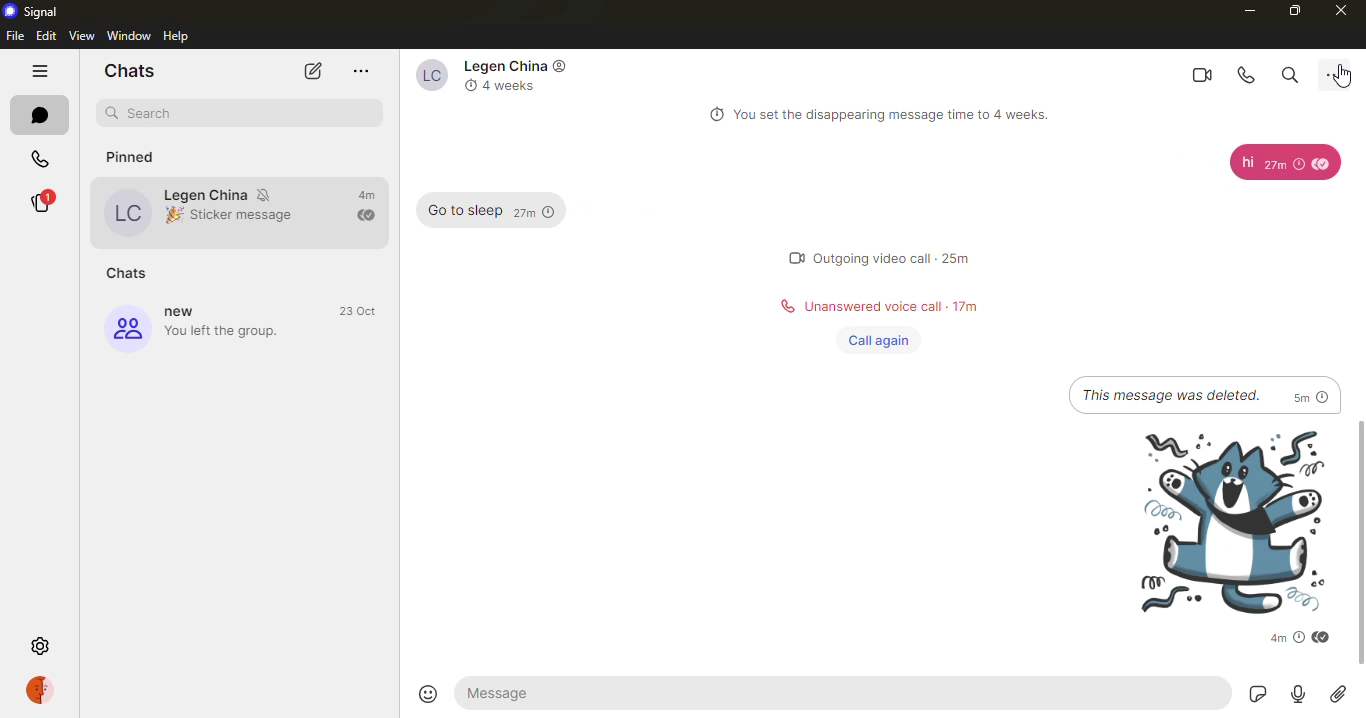  What do you see at coordinates (129, 211) in the screenshot?
I see `profile` at bounding box center [129, 211].